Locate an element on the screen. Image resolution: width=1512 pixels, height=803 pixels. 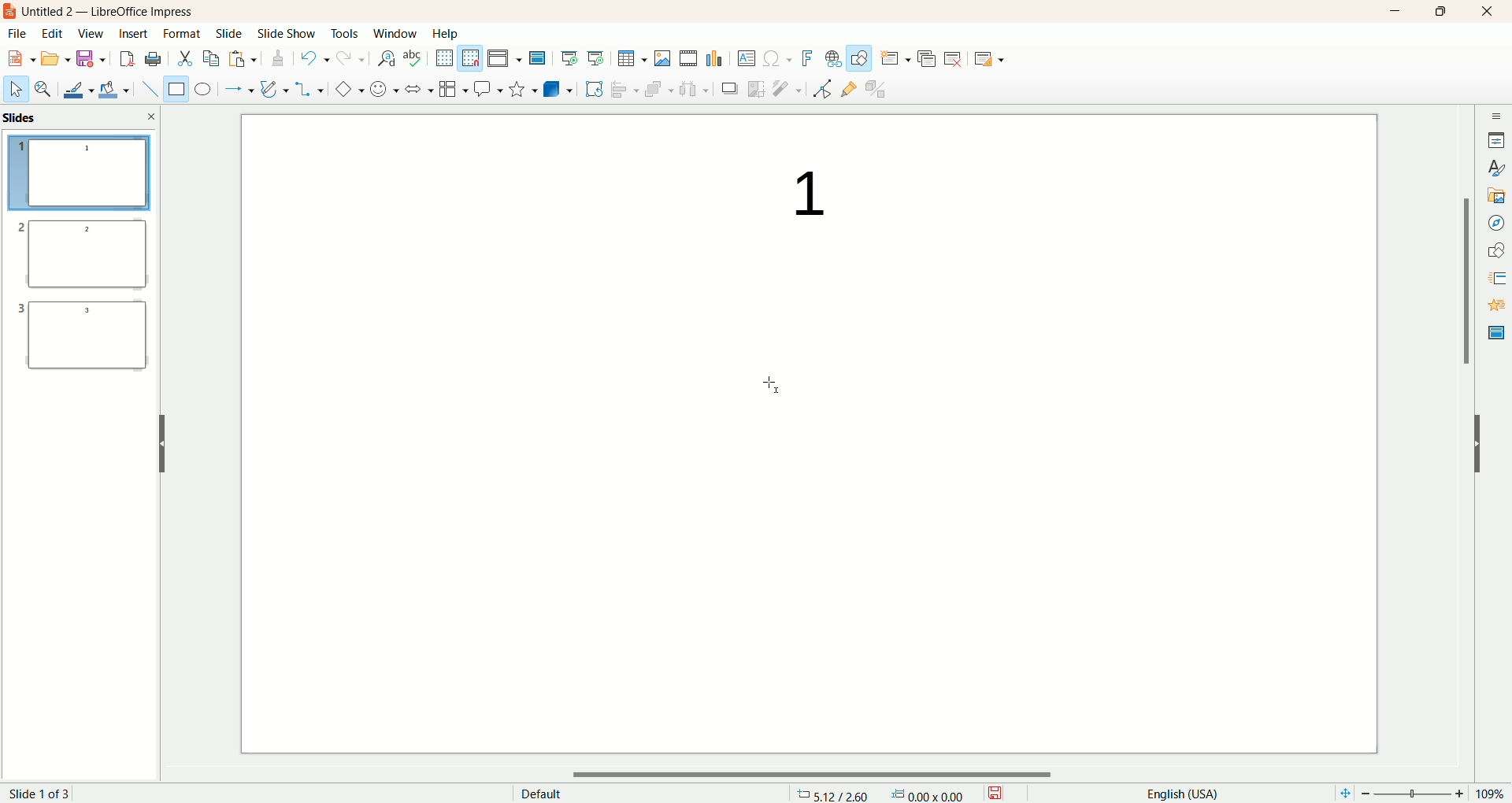
style is located at coordinates (1495, 168).